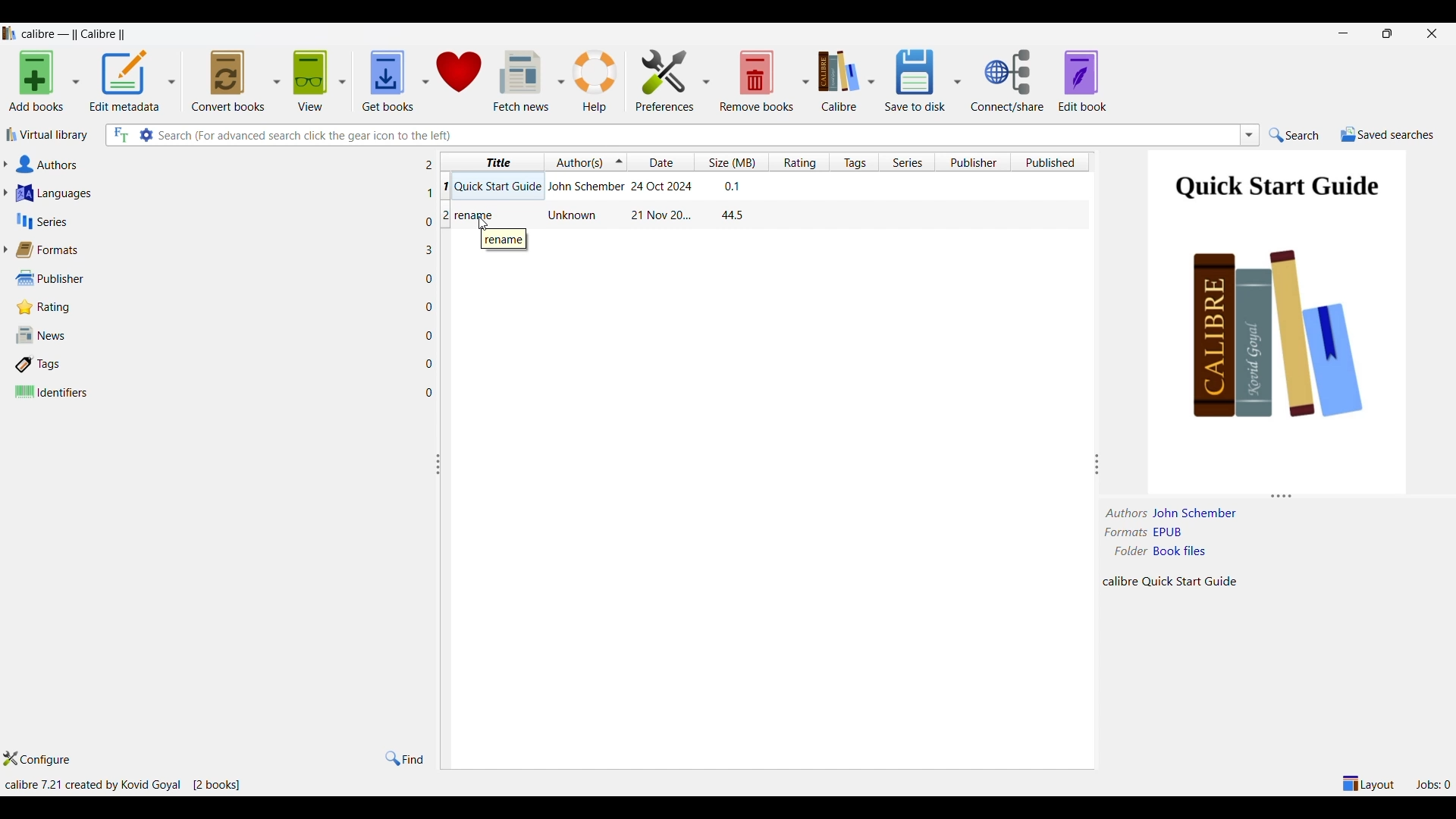 The image size is (1456, 819). I want to click on book files, so click(1185, 551).